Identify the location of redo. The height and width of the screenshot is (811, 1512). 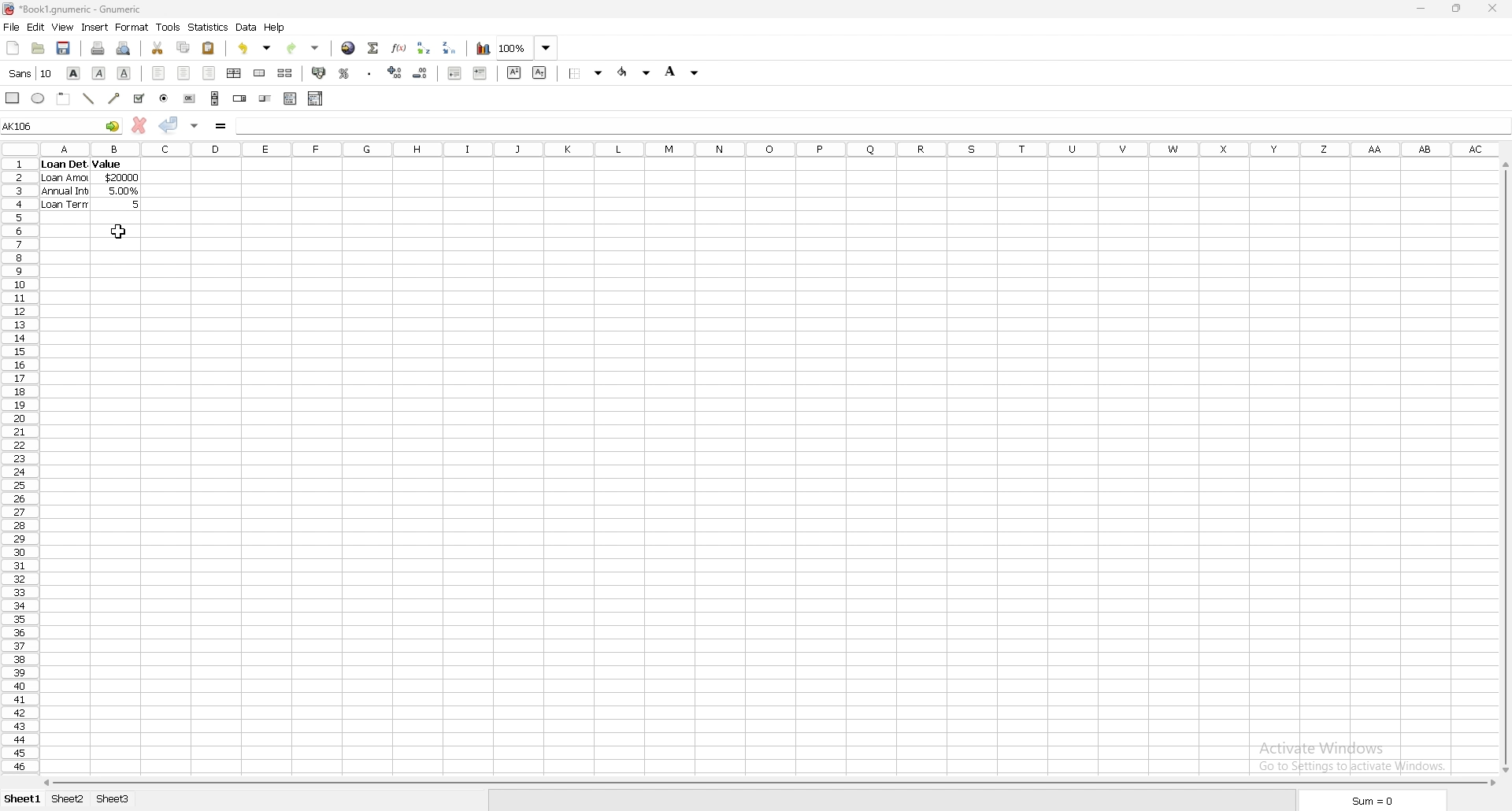
(304, 48).